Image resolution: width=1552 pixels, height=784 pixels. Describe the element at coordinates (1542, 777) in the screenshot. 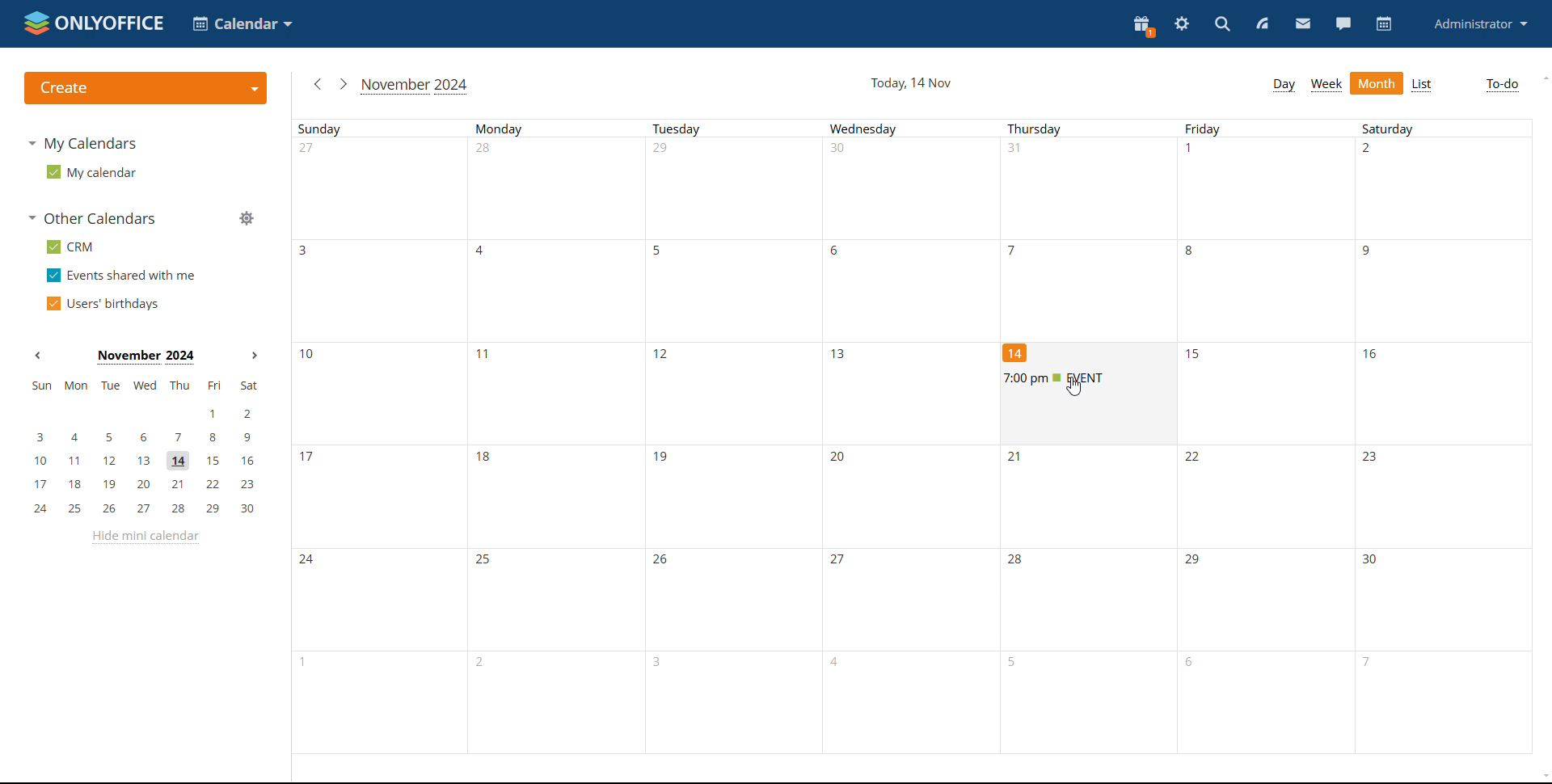

I see `scroll down` at that location.